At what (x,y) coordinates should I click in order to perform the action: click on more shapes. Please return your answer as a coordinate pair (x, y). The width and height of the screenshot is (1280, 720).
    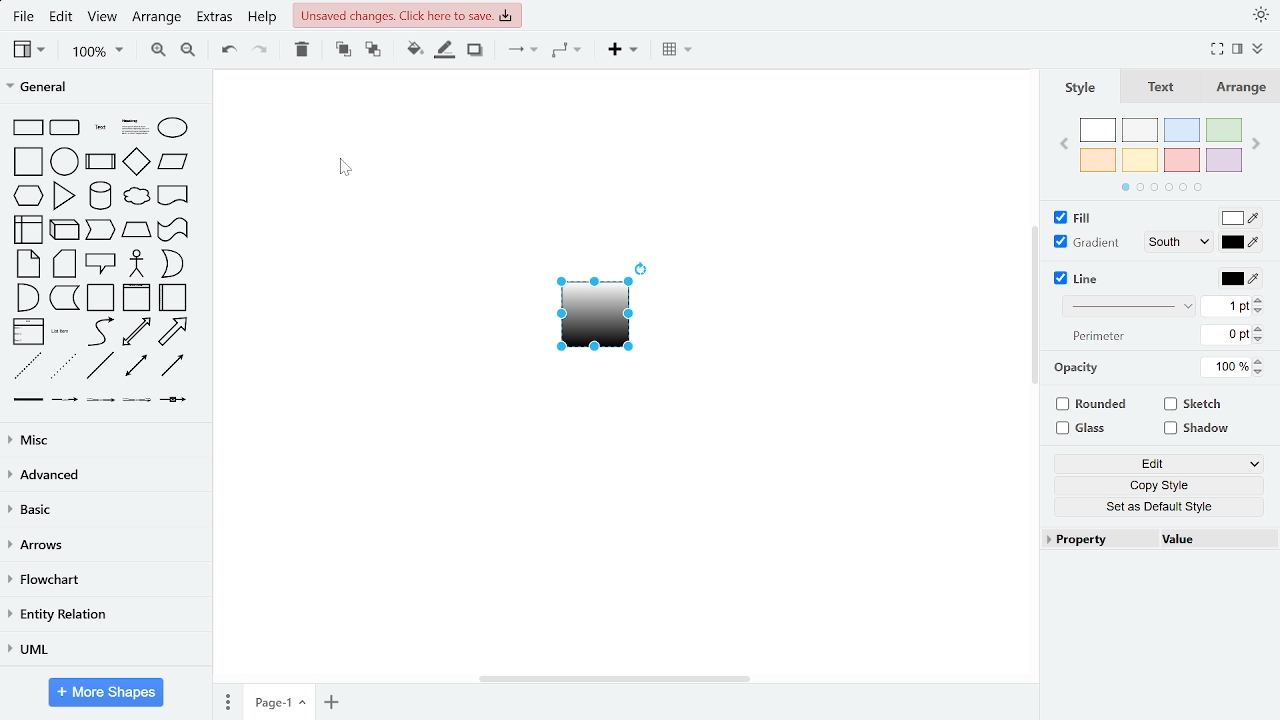
    Looking at the image, I should click on (106, 692).